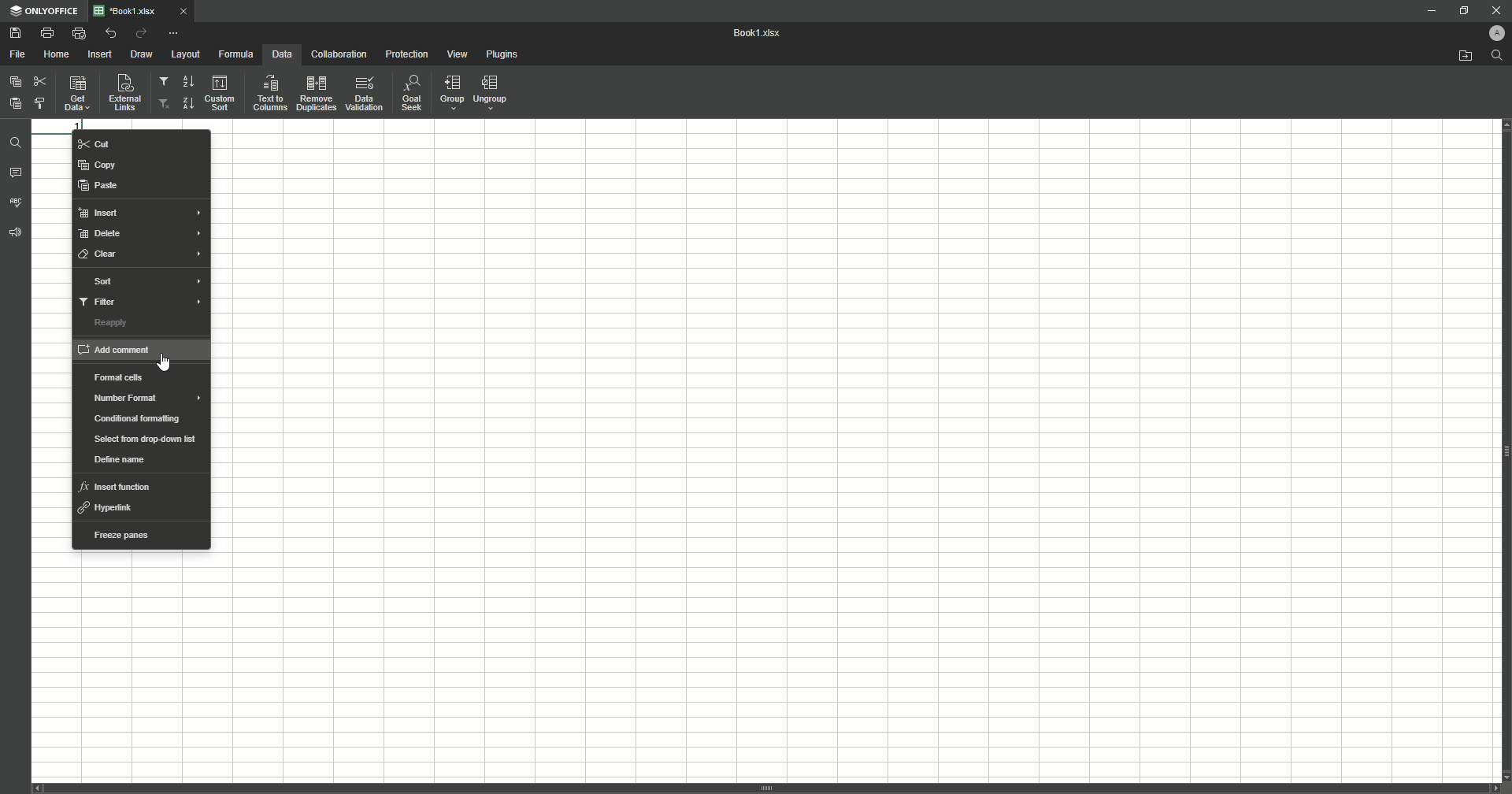 Image resolution: width=1512 pixels, height=794 pixels. What do you see at coordinates (136, 421) in the screenshot?
I see `Conditional Formatting` at bounding box center [136, 421].